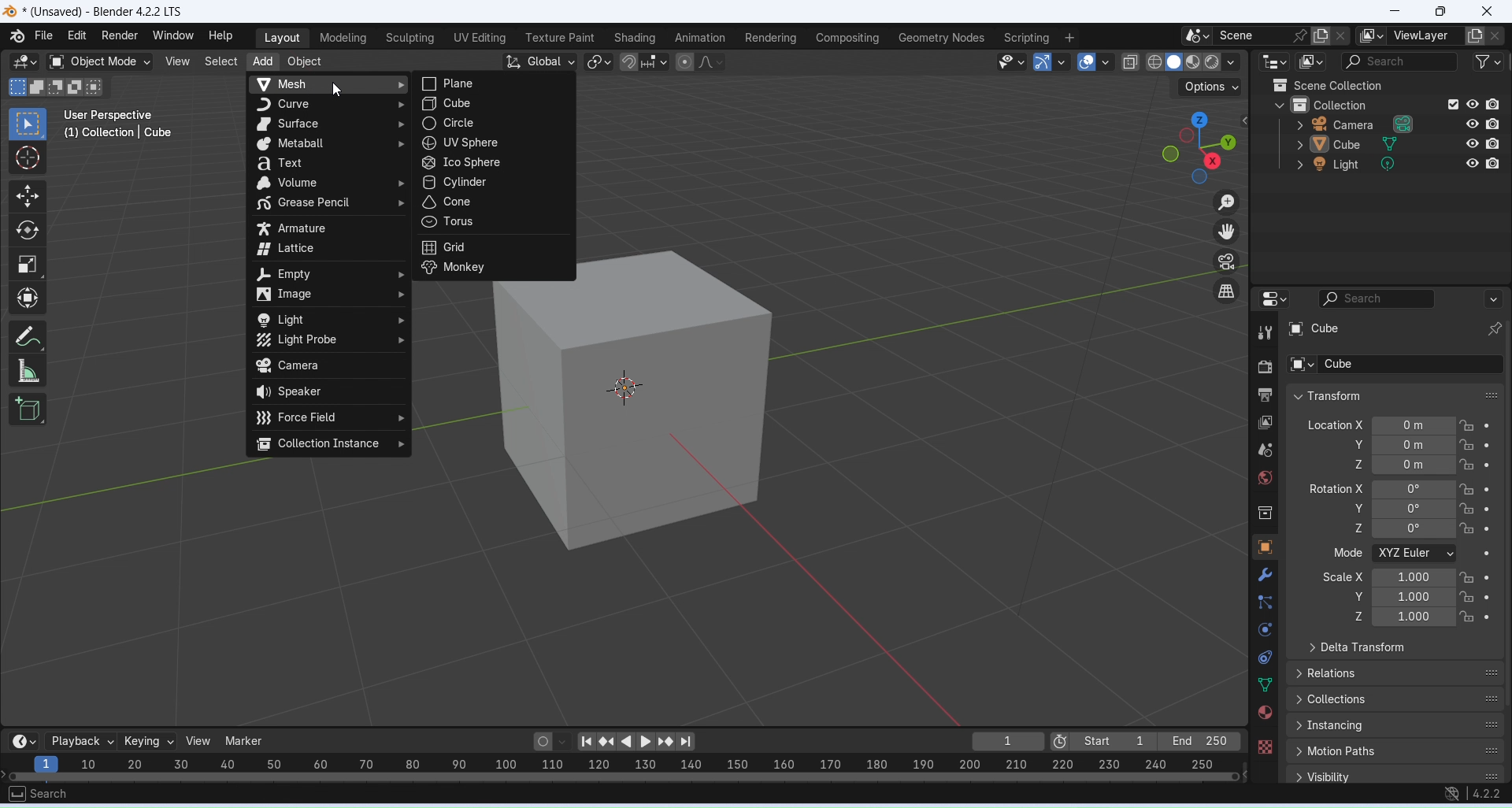 Image resolution: width=1512 pixels, height=808 pixels. I want to click on collection instance, so click(329, 445).